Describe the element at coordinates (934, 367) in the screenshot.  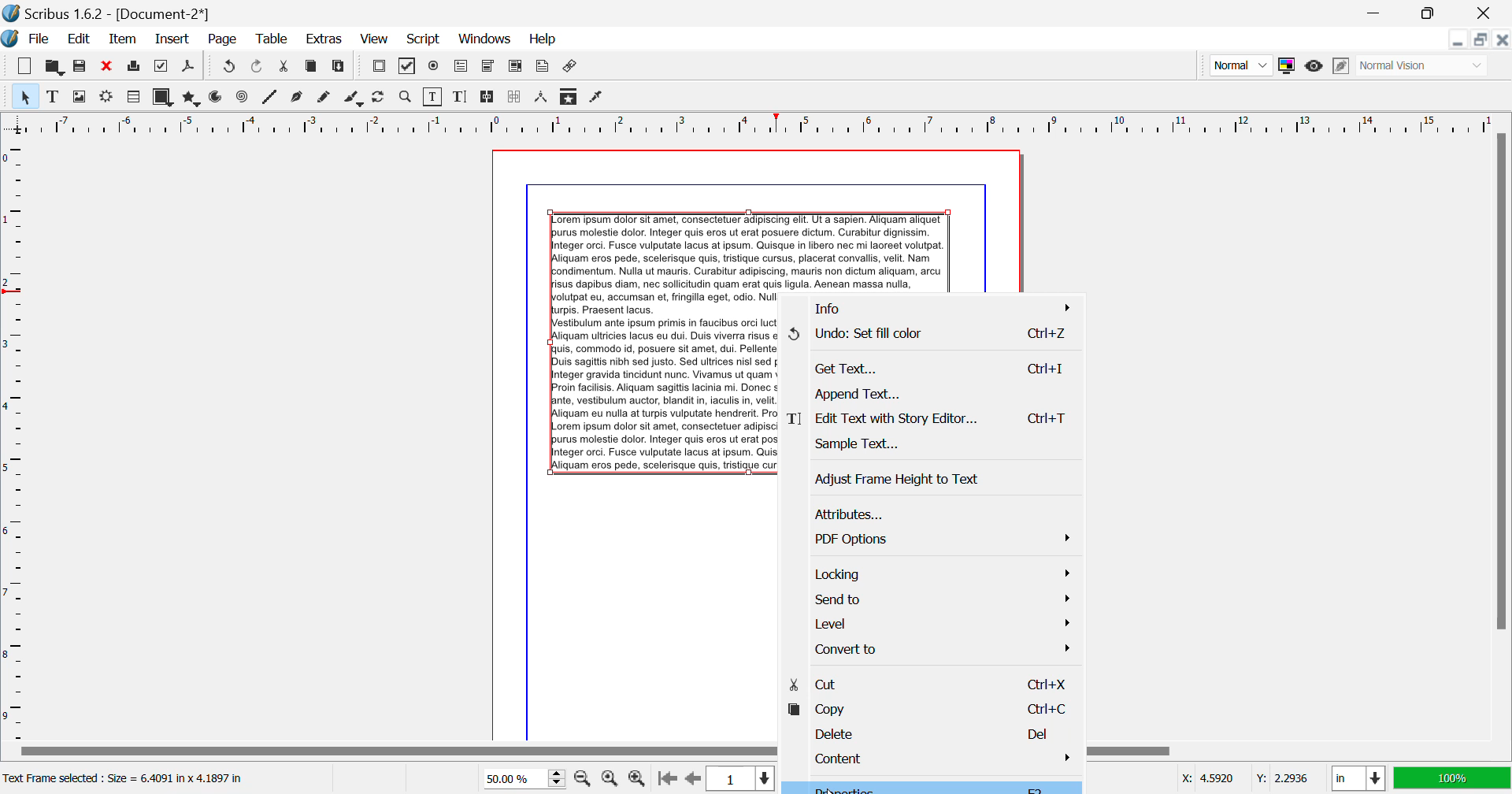
I see `Get Text` at that location.